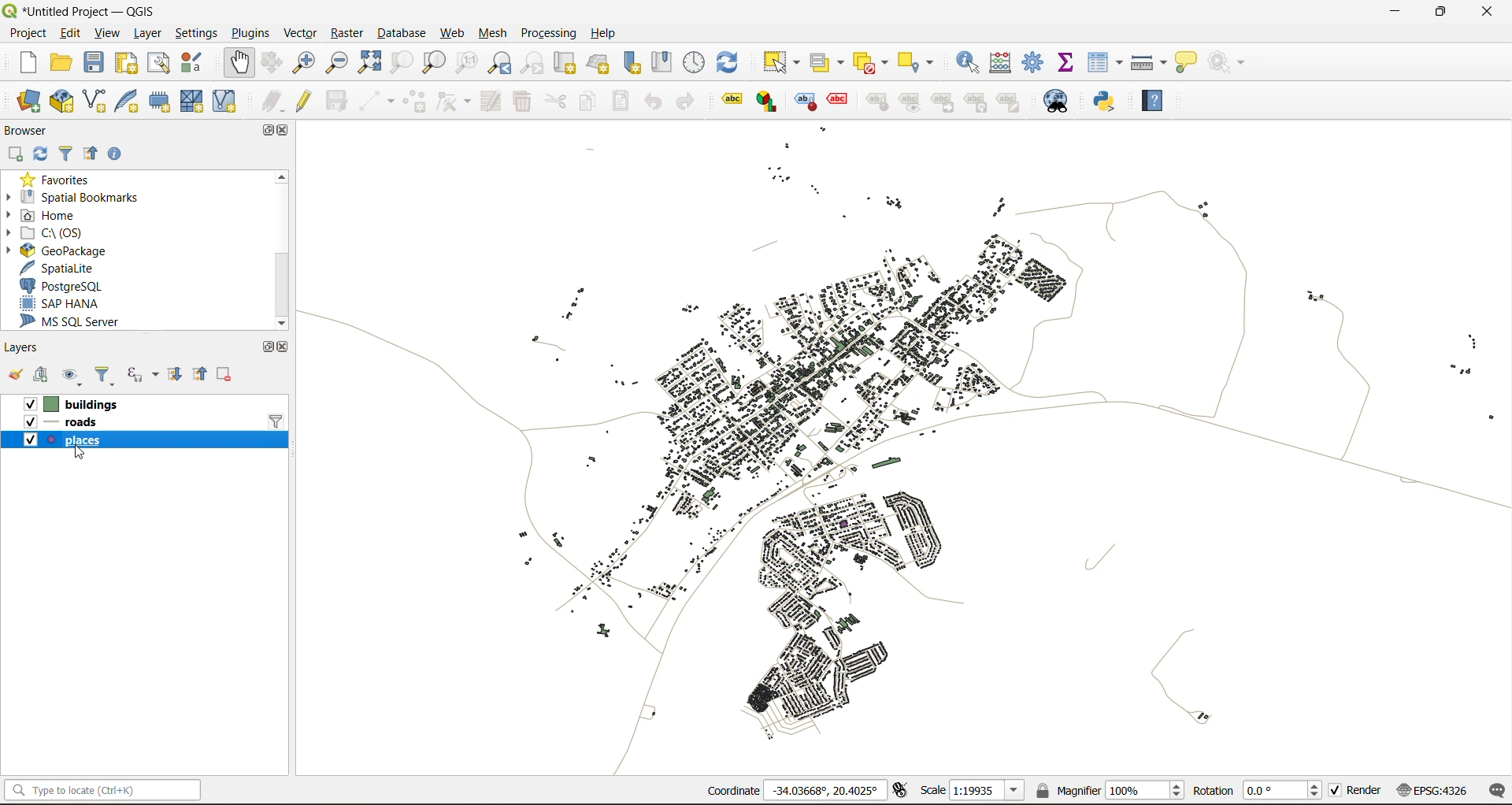 The height and width of the screenshot is (805, 1512). I want to click on filter, so click(107, 375).